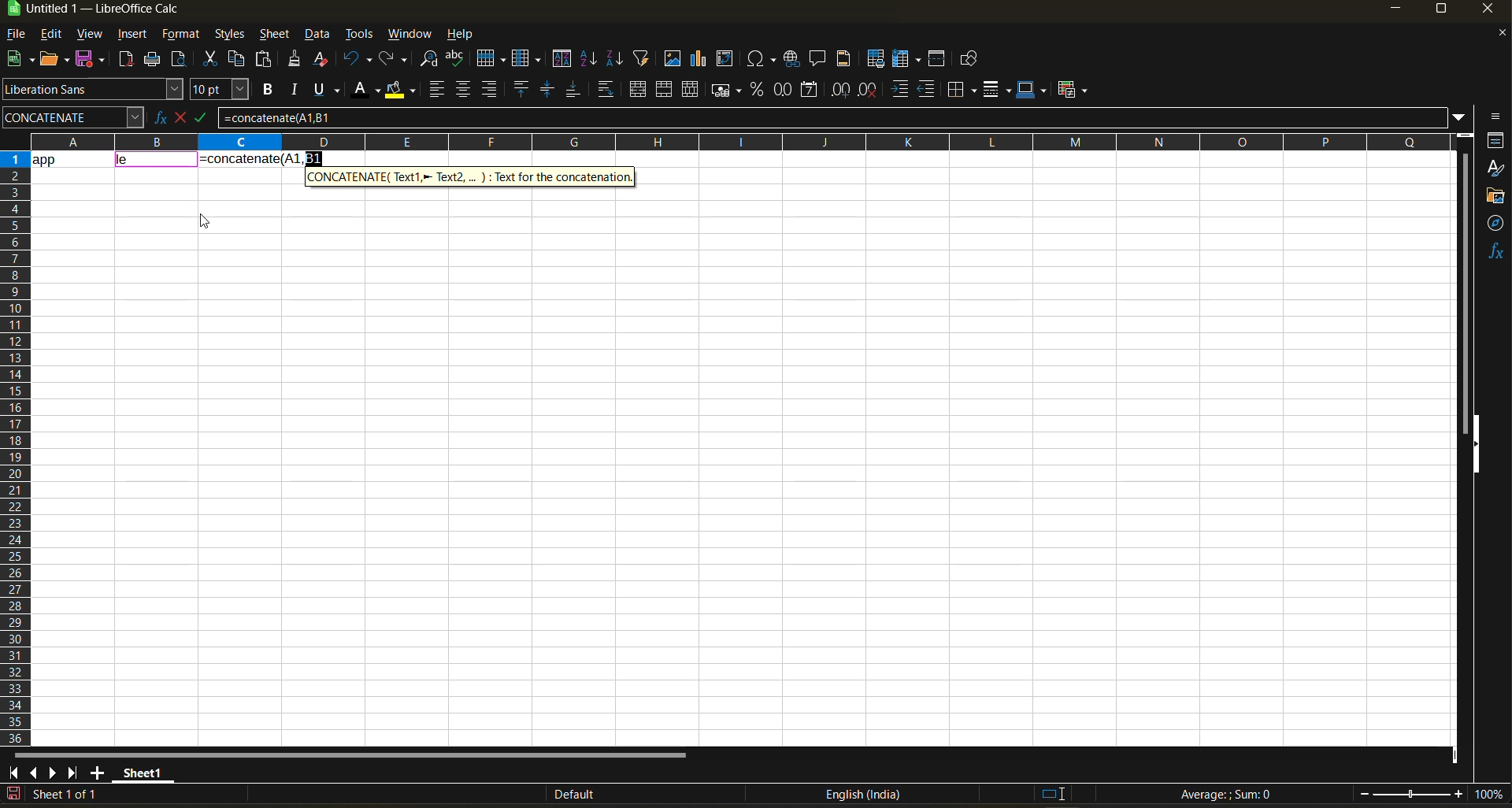 Image resolution: width=1512 pixels, height=808 pixels. Describe the element at coordinates (1496, 198) in the screenshot. I see `gallery` at that location.